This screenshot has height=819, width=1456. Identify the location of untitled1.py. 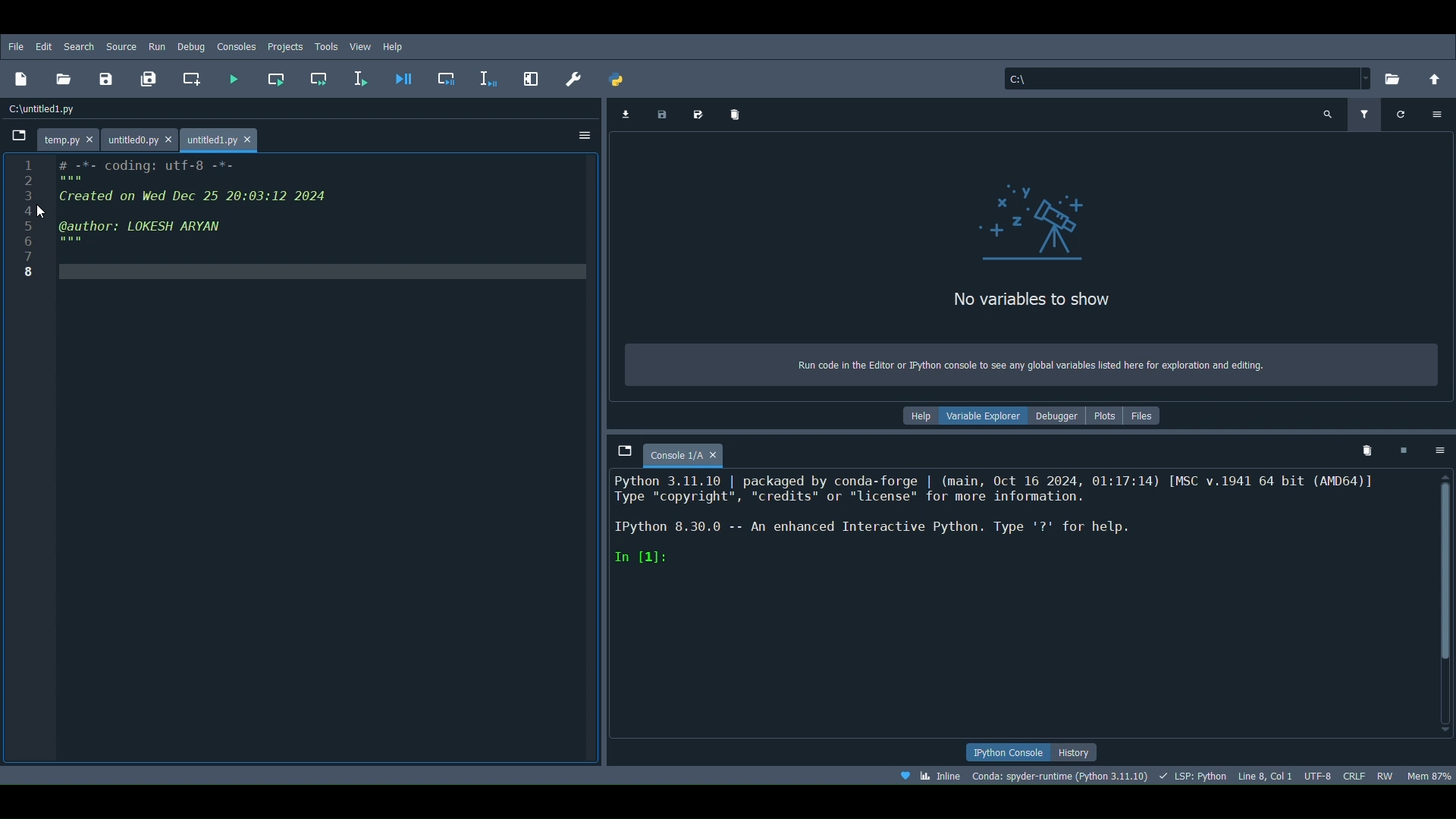
(222, 137).